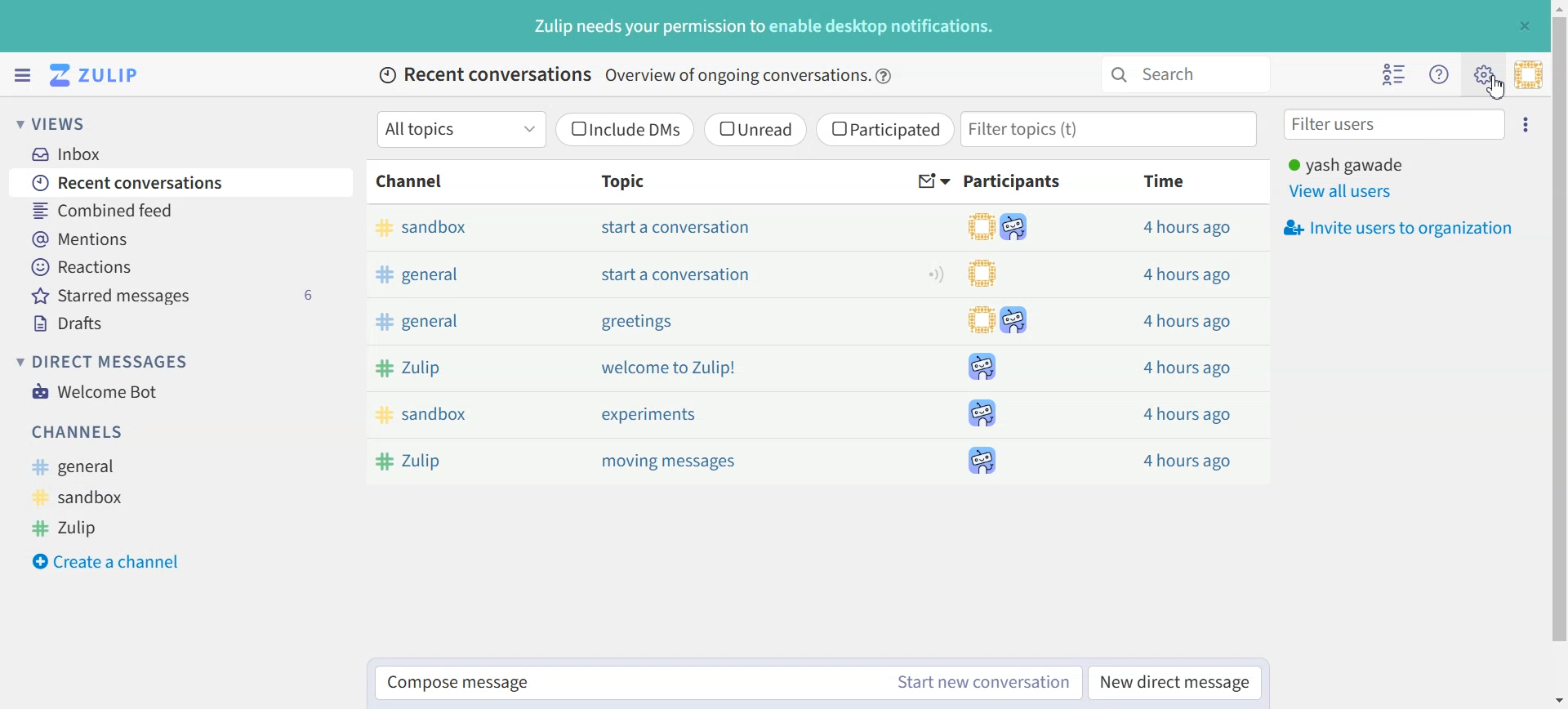 The image size is (1568, 709). I want to click on Include DMs, so click(626, 129).